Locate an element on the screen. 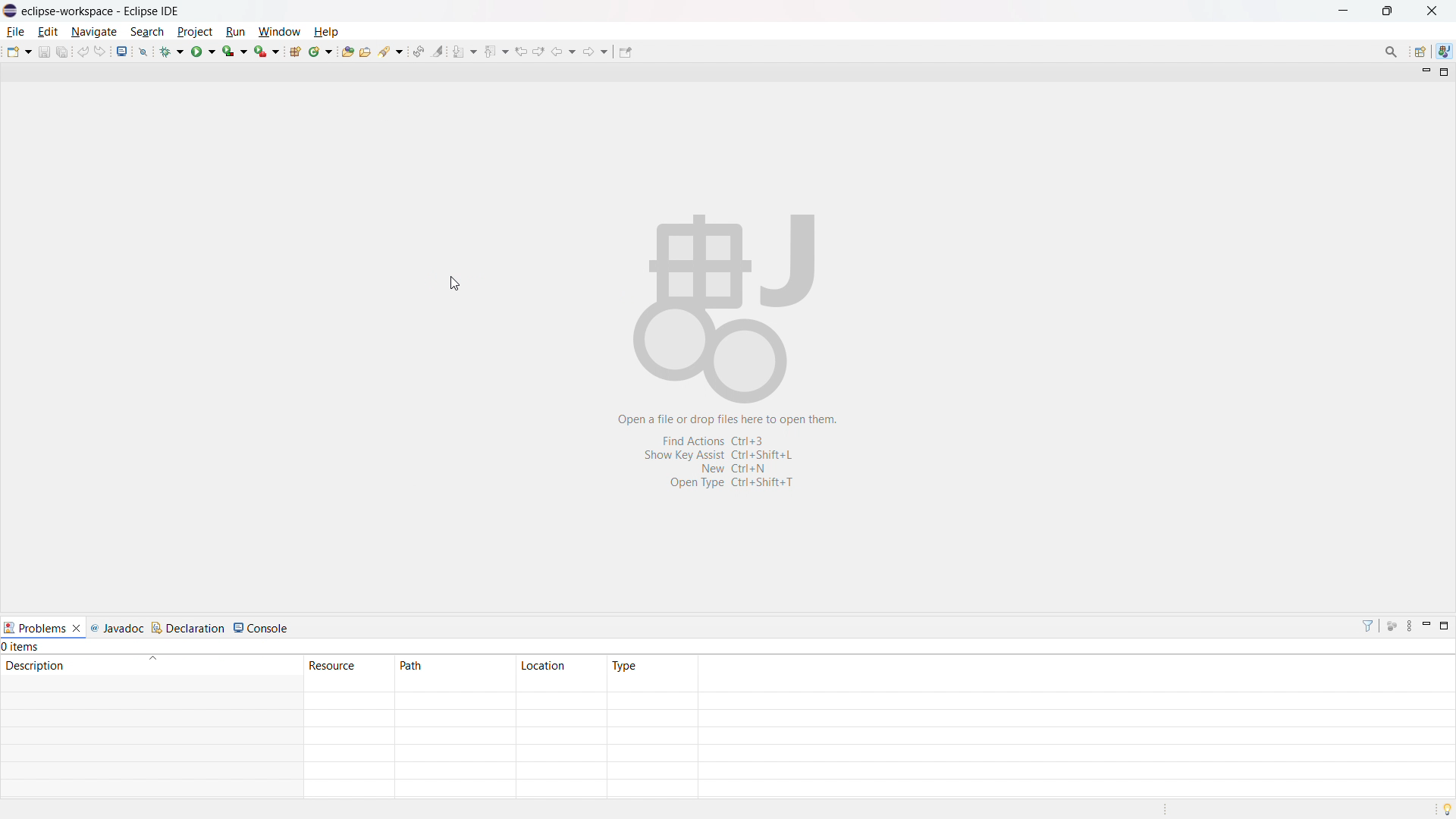 Image resolution: width=1456 pixels, height=819 pixels. IDE Welcome Screen Icon is located at coordinates (722, 308).